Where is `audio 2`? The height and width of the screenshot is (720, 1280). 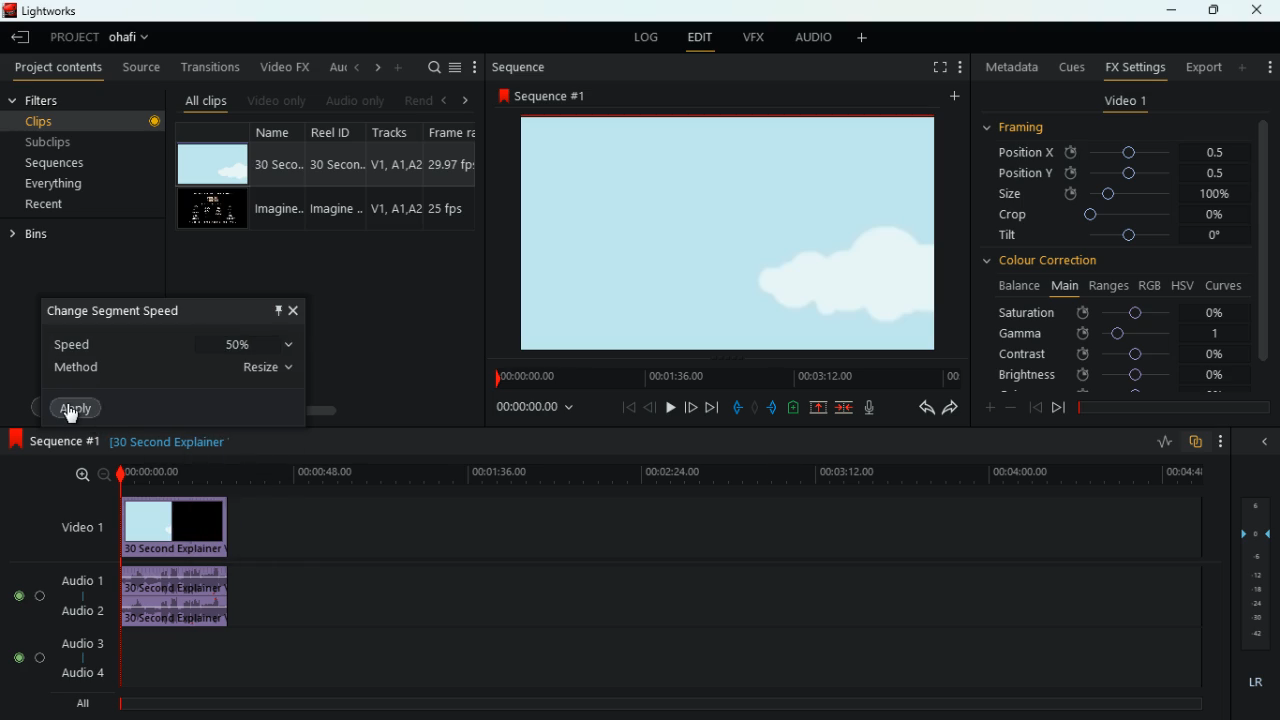
audio 2 is located at coordinates (81, 610).